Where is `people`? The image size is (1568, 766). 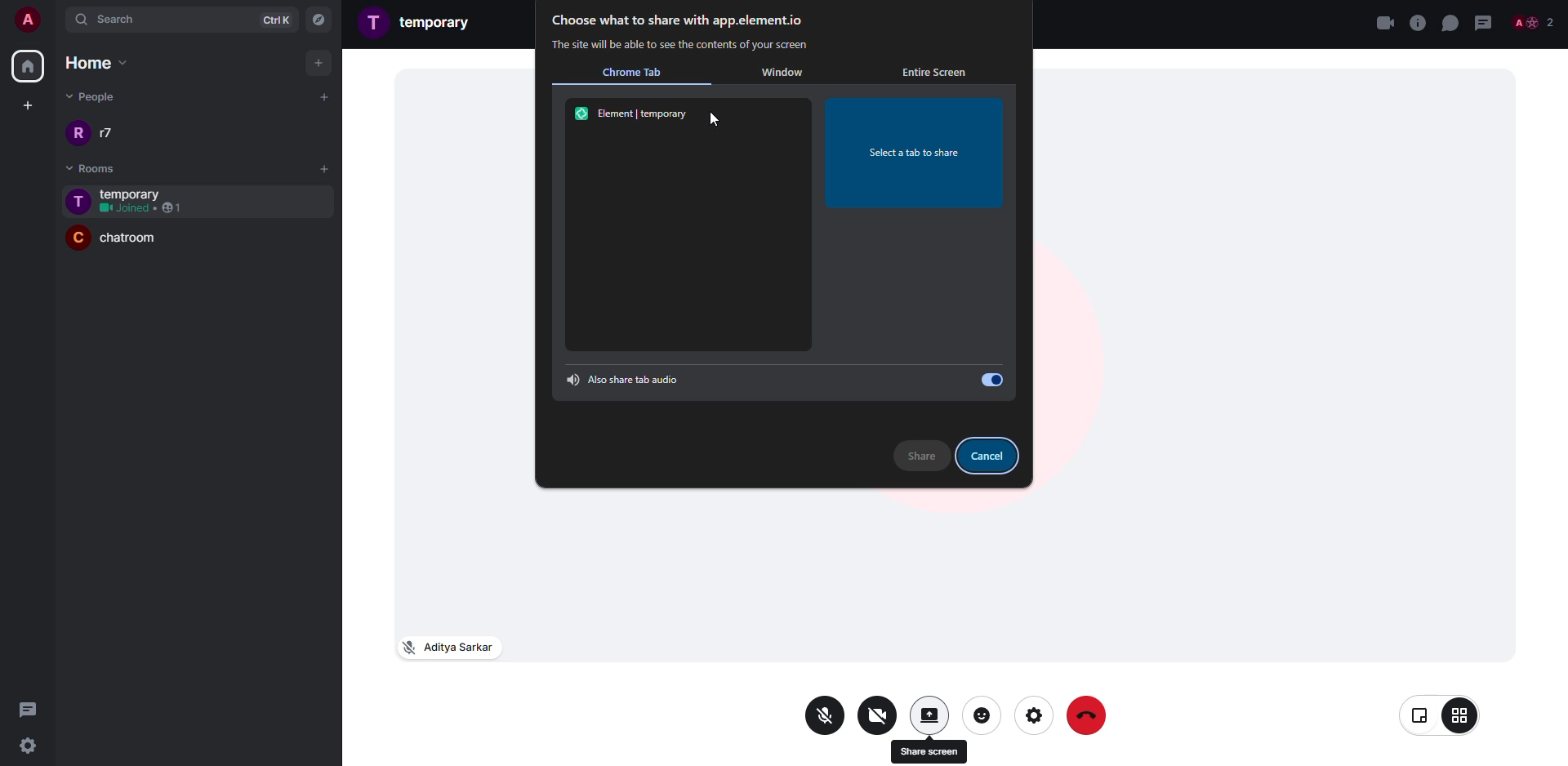 people is located at coordinates (111, 133).